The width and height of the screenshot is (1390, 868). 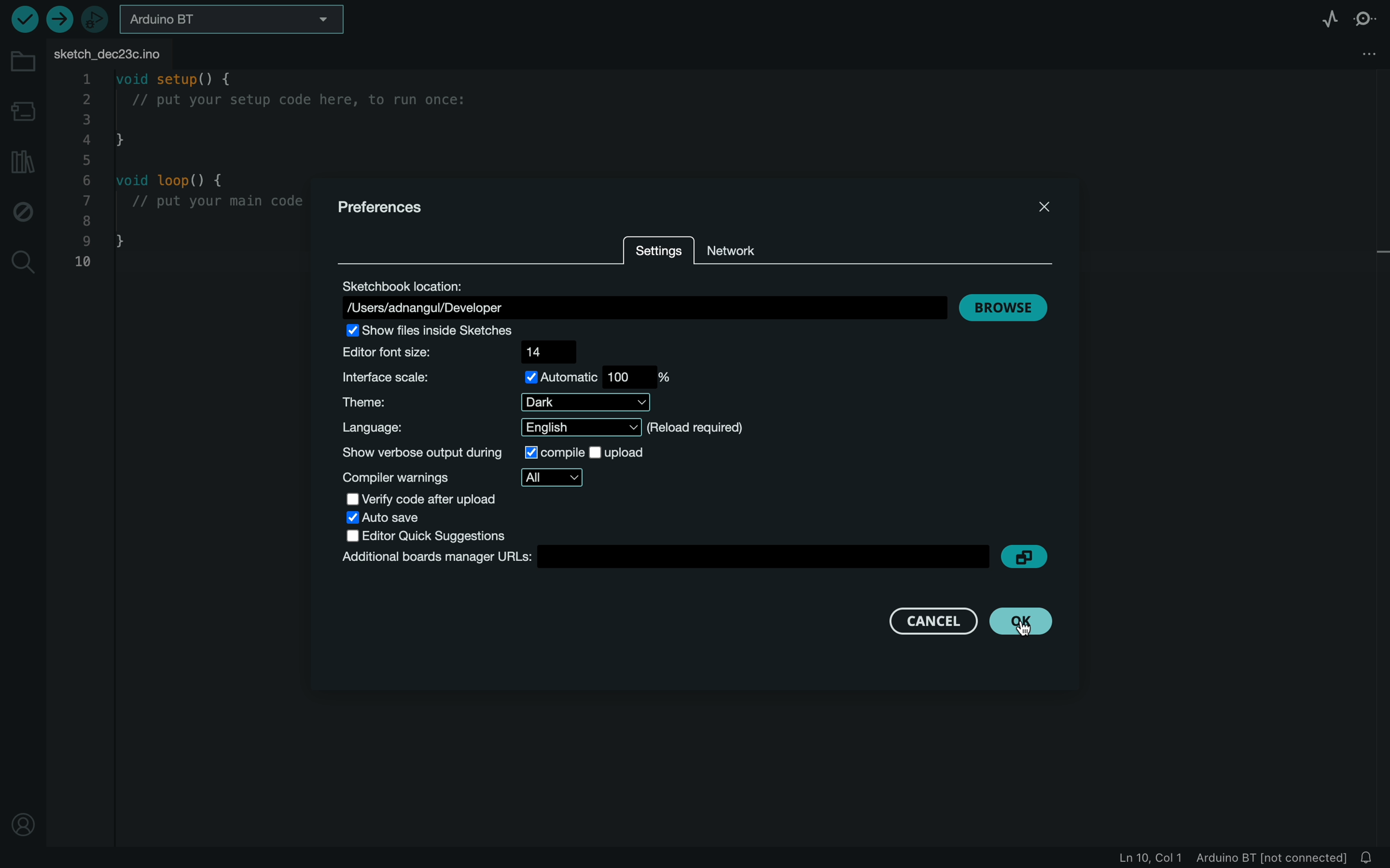 I want to click on file setting, so click(x=1365, y=53).